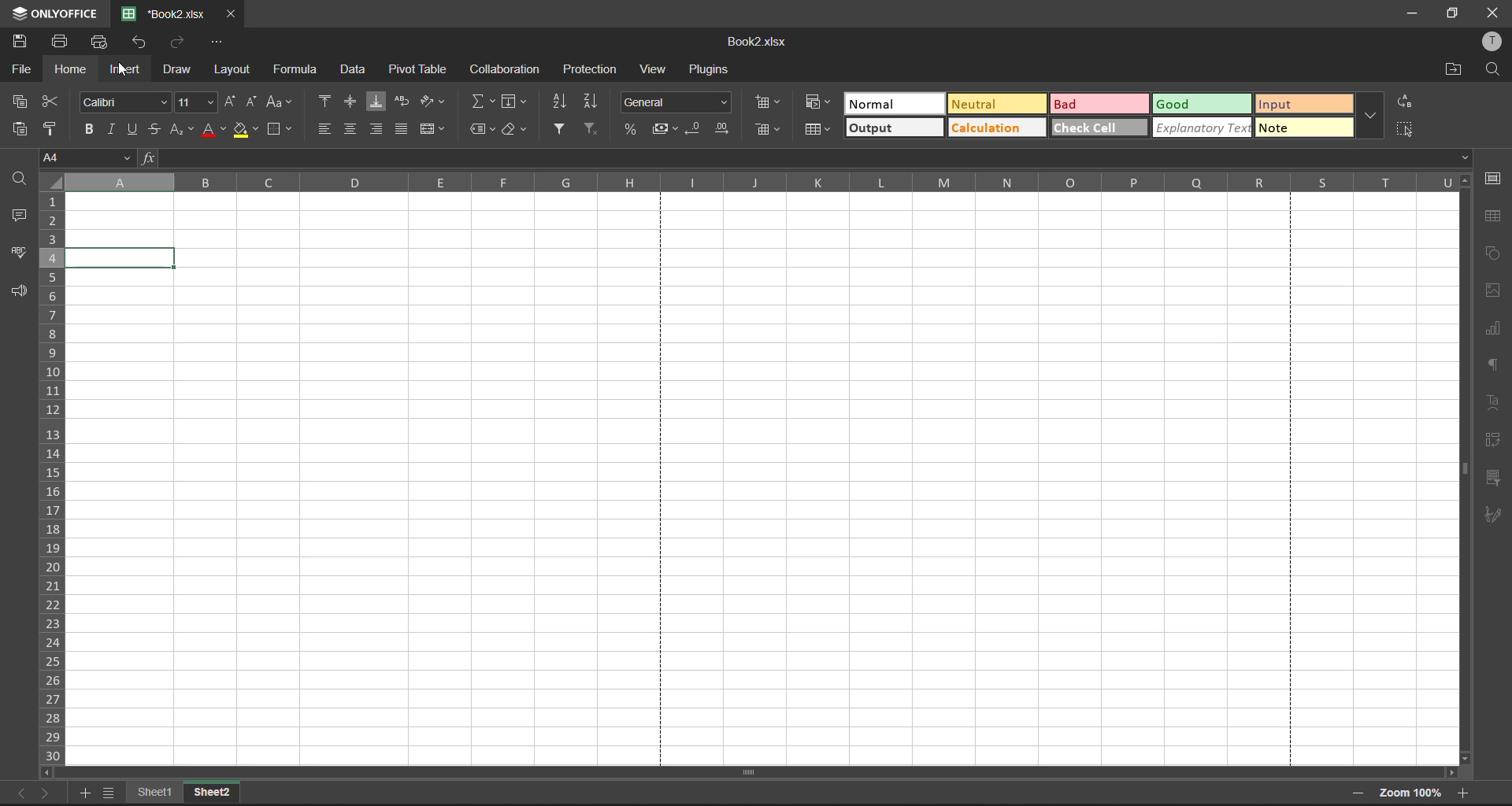  I want to click on align top, so click(326, 100).